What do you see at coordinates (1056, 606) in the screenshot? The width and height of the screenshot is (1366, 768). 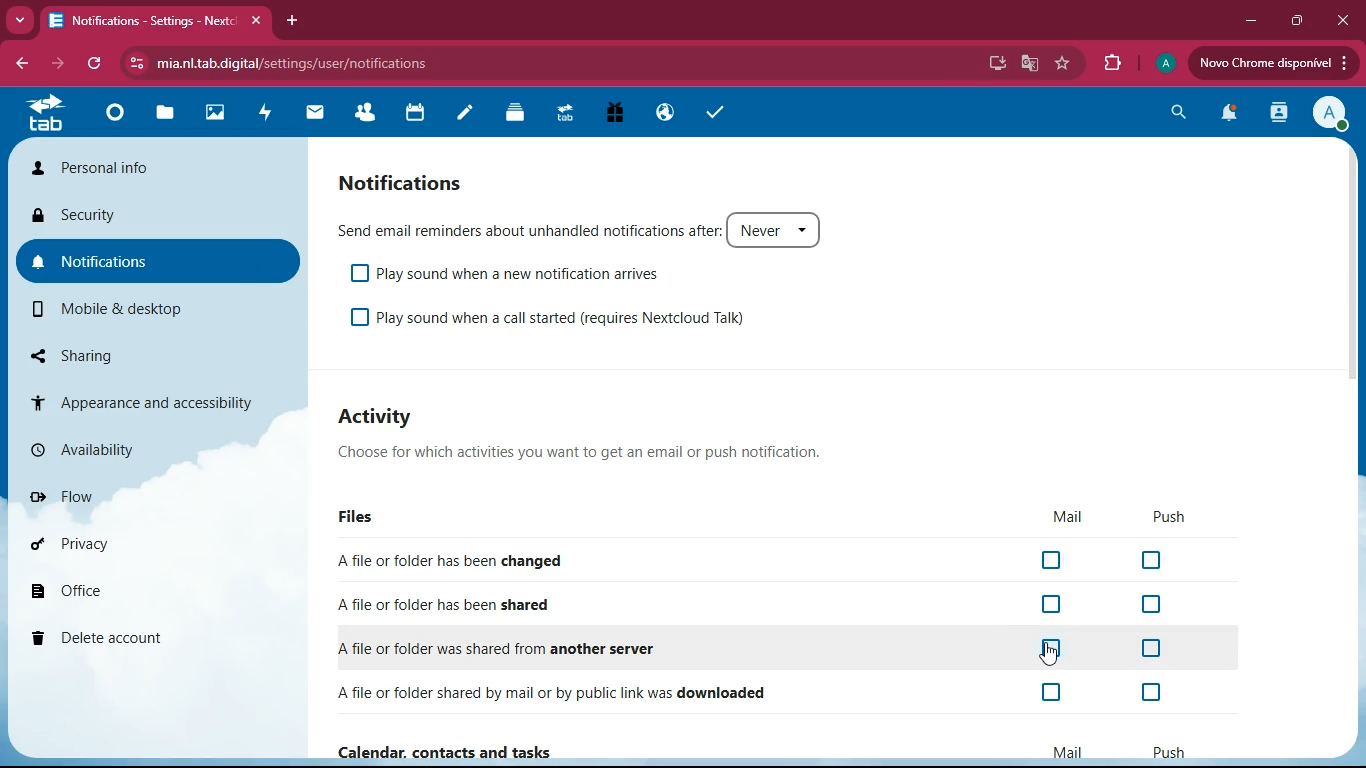 I see `off` at bounding box center [1056, 606].